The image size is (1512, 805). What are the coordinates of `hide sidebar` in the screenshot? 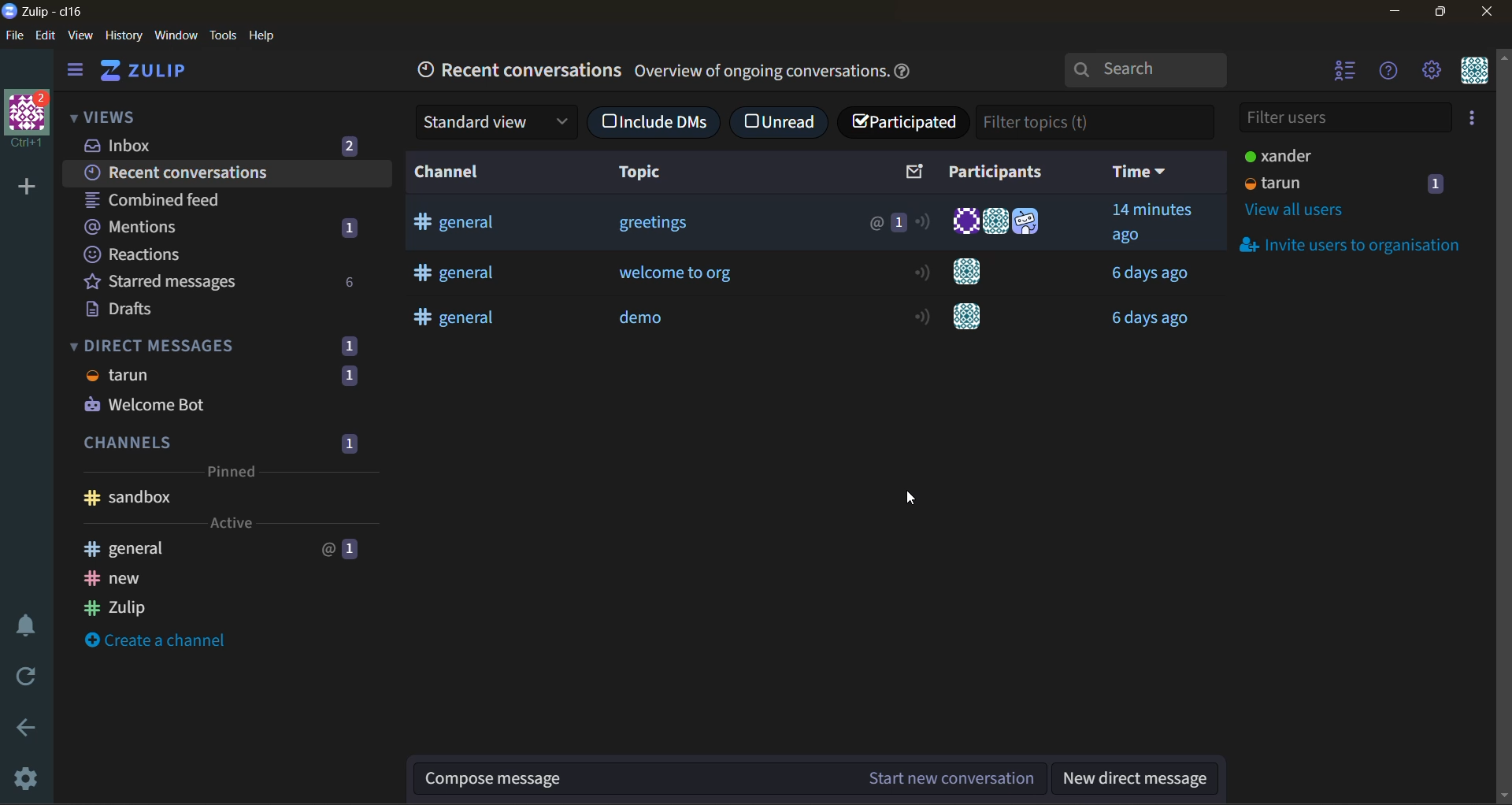 It's located at (78, 71).